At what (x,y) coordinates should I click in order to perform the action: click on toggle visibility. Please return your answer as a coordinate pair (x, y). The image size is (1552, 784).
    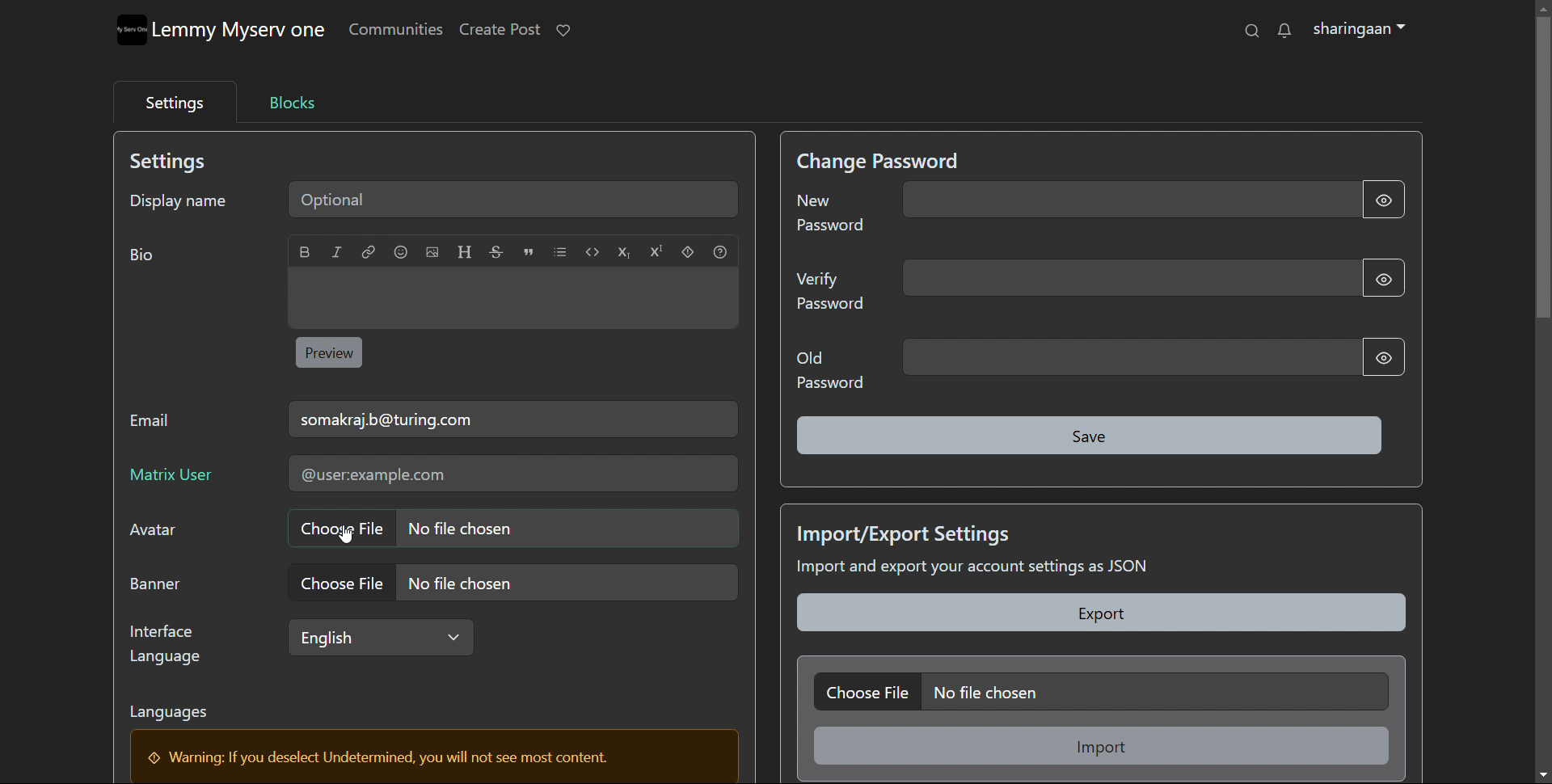
    Looking at the image, I should click on (1384, 200).